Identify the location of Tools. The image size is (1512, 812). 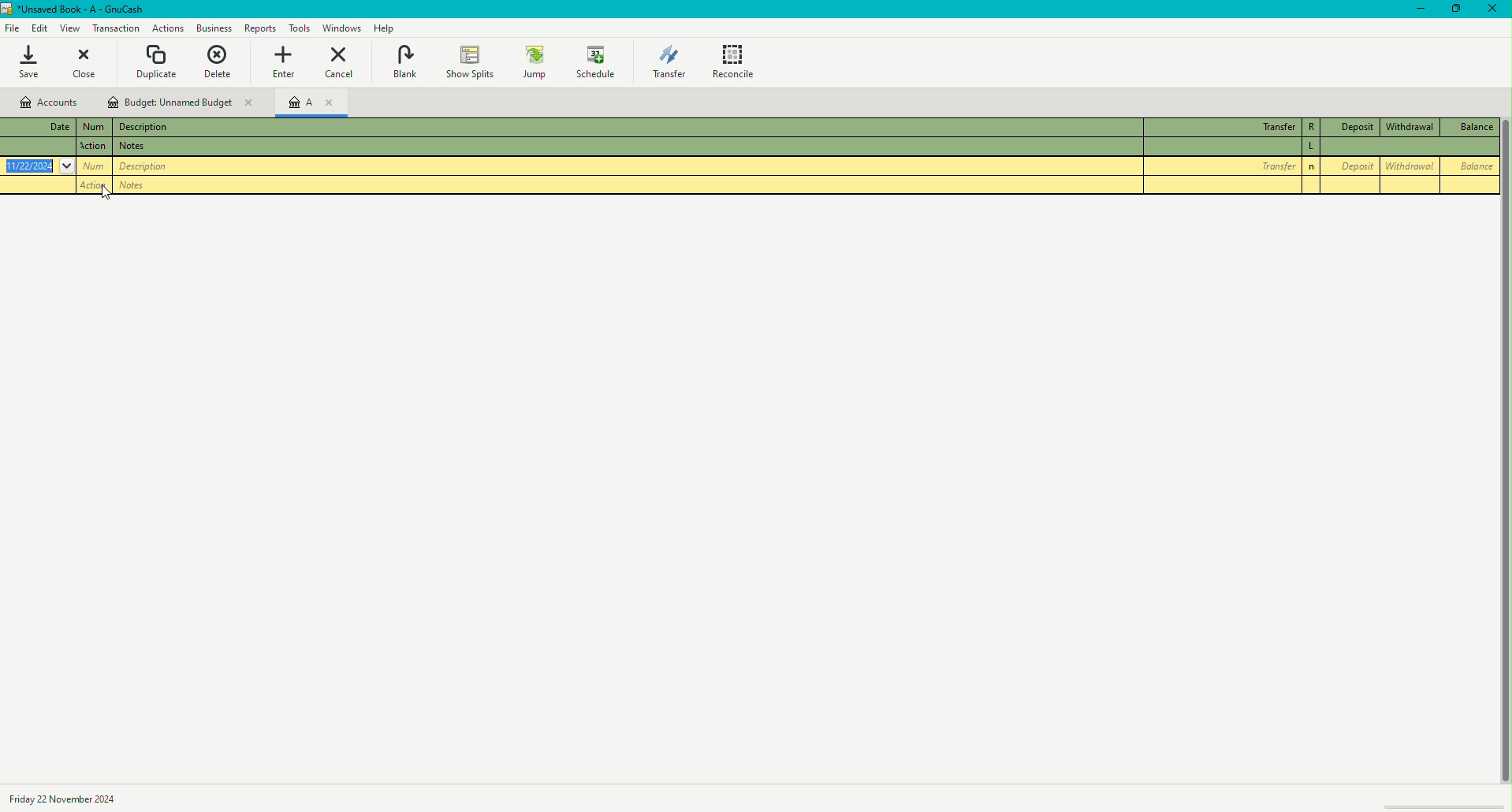
(260, 28).